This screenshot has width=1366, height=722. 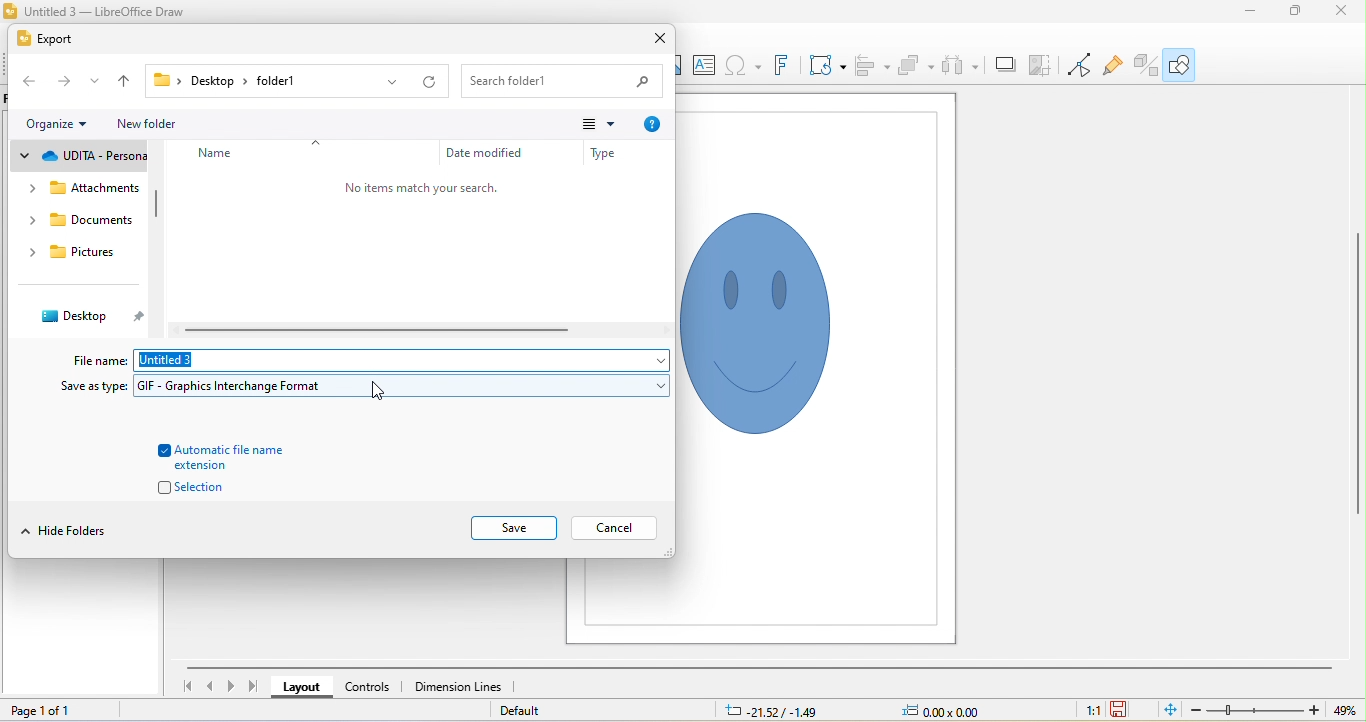 What do you see at coordinates (762, 666) in the screenshot?
I see `horizontal scroll ` at bounding box center [762, 666].